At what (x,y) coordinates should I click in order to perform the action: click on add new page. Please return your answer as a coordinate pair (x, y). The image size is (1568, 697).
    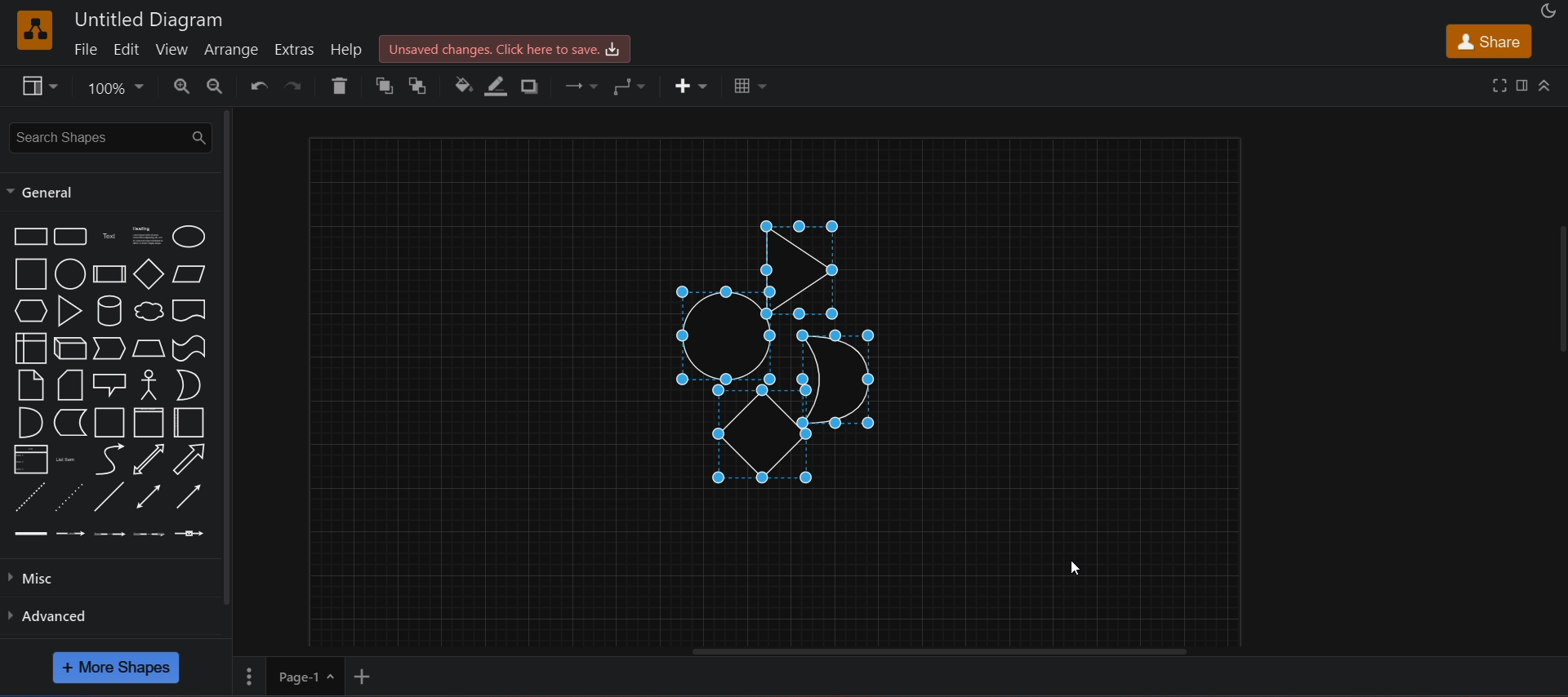
    Looking at the image, I should click on (374, 675).